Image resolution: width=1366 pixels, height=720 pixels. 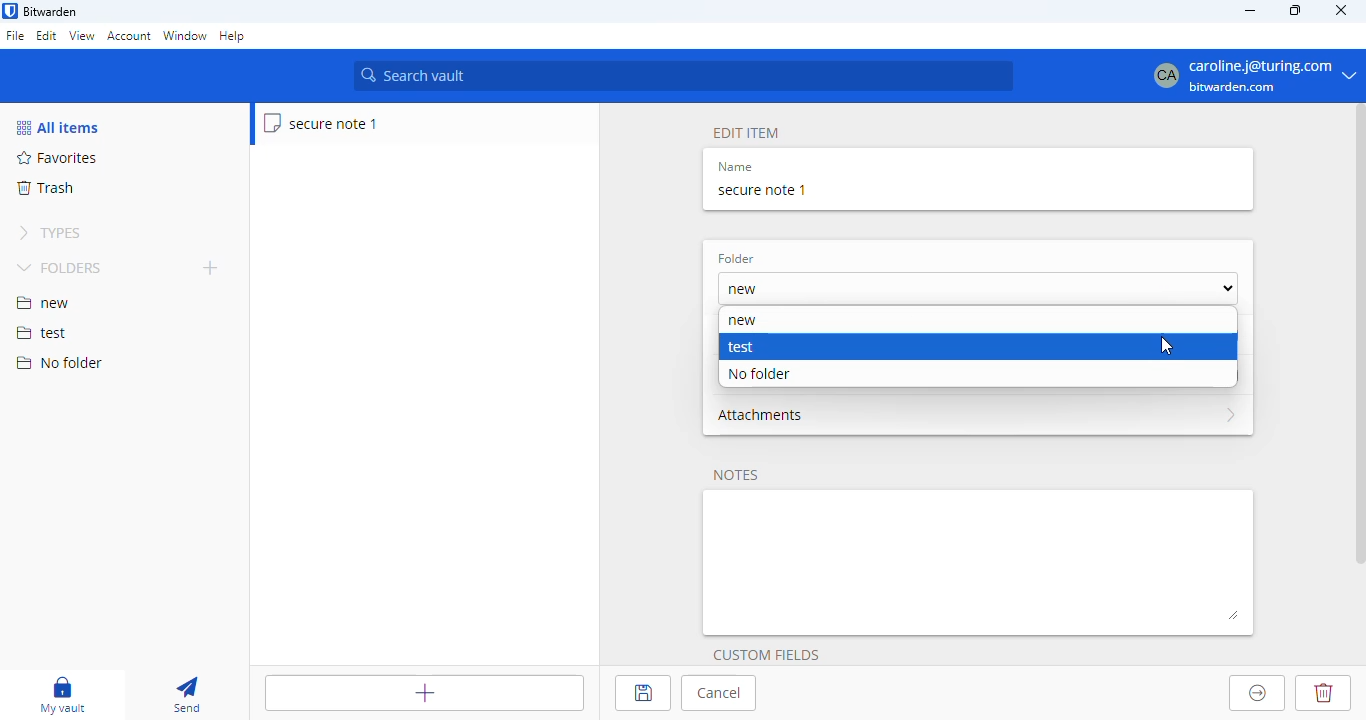 What do you see at coordinates (766, 655) in the screenshot?
I see `custom fields` at bounding box center [766, 655].